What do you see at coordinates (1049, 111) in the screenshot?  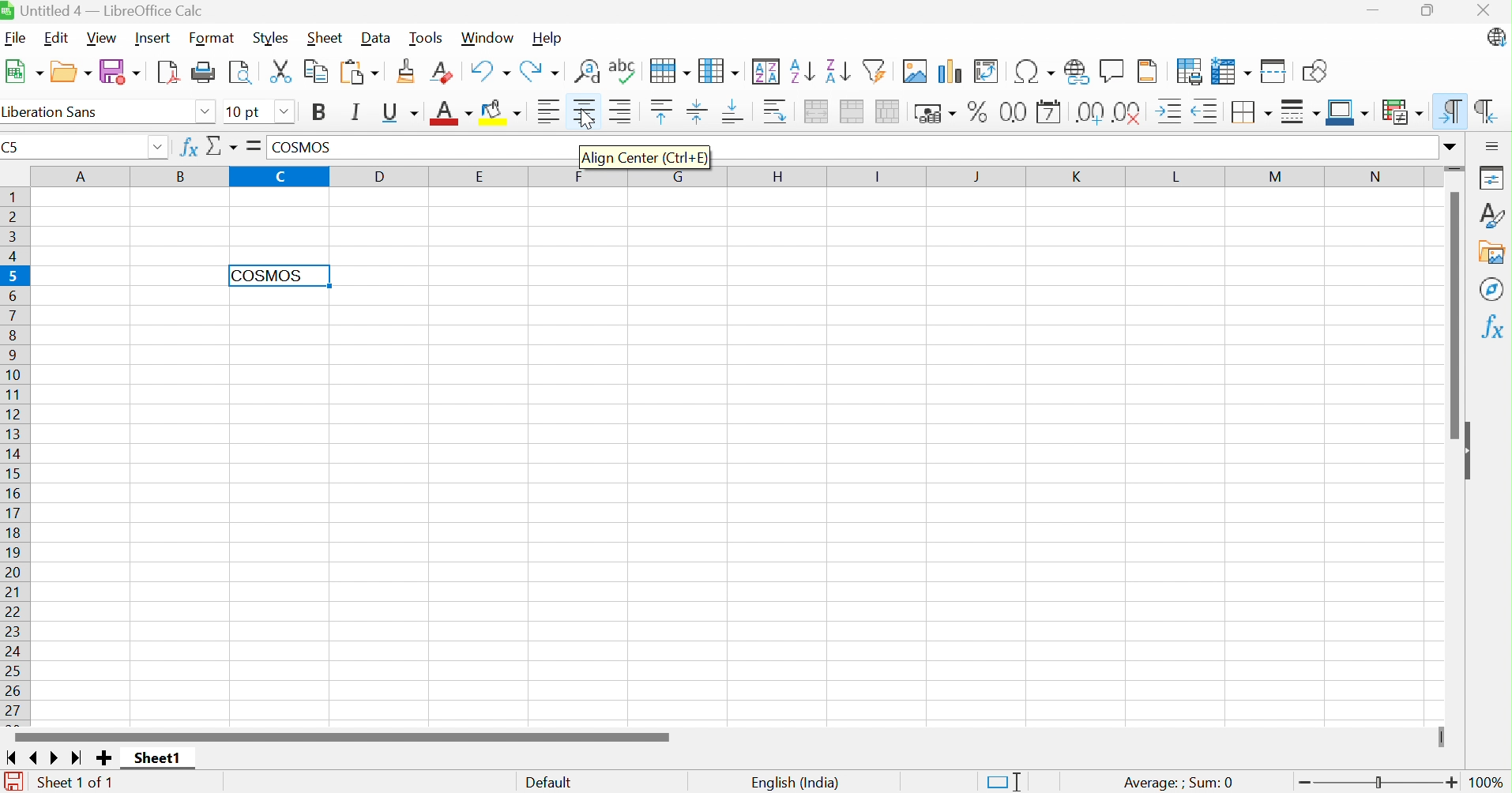 I see `Format as Date` at bounding box center [1049, 111].